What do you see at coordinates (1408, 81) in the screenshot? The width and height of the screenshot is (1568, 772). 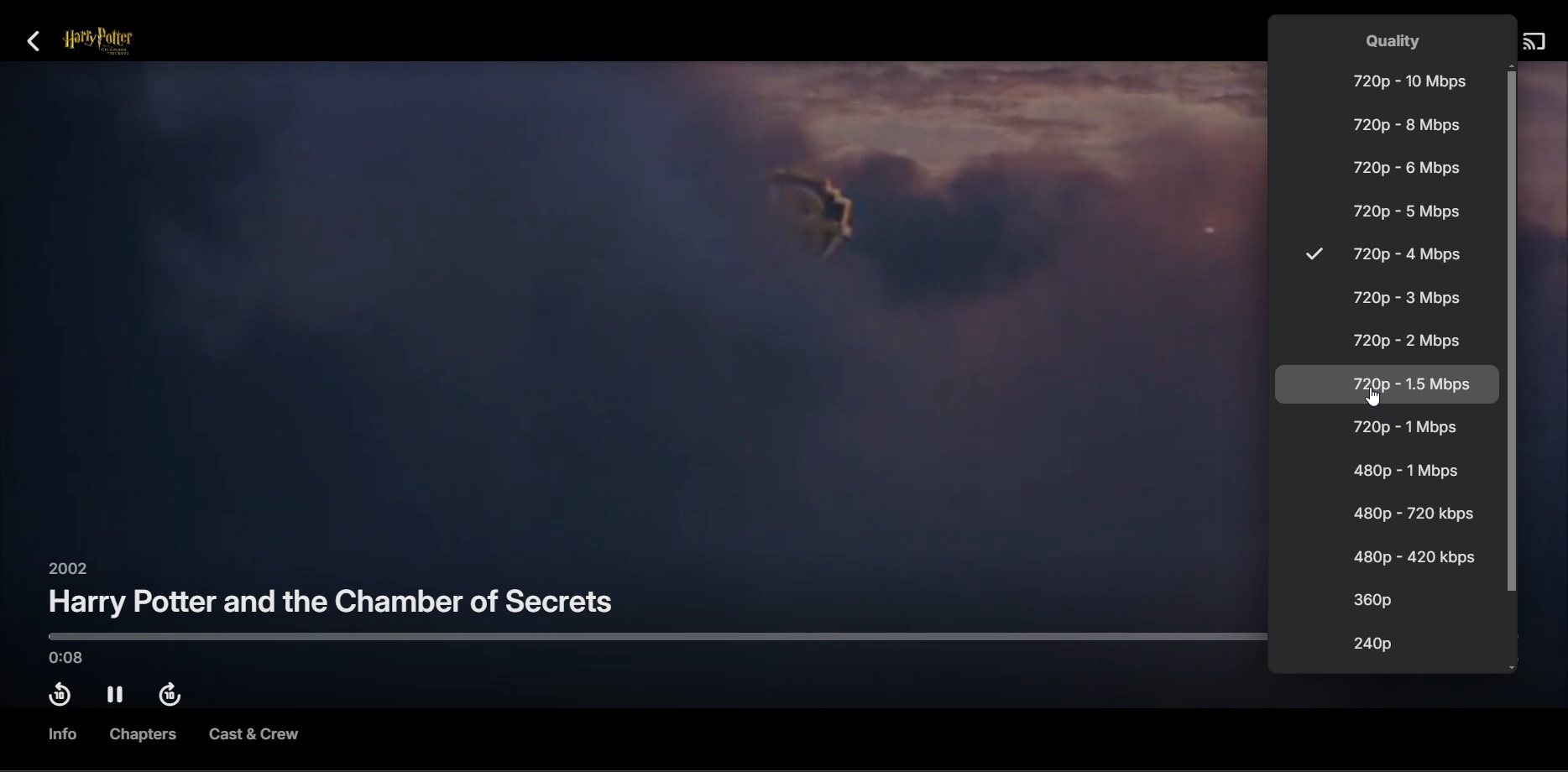 I see `720p - 10Mbps` at bounding box center [1408, 81].